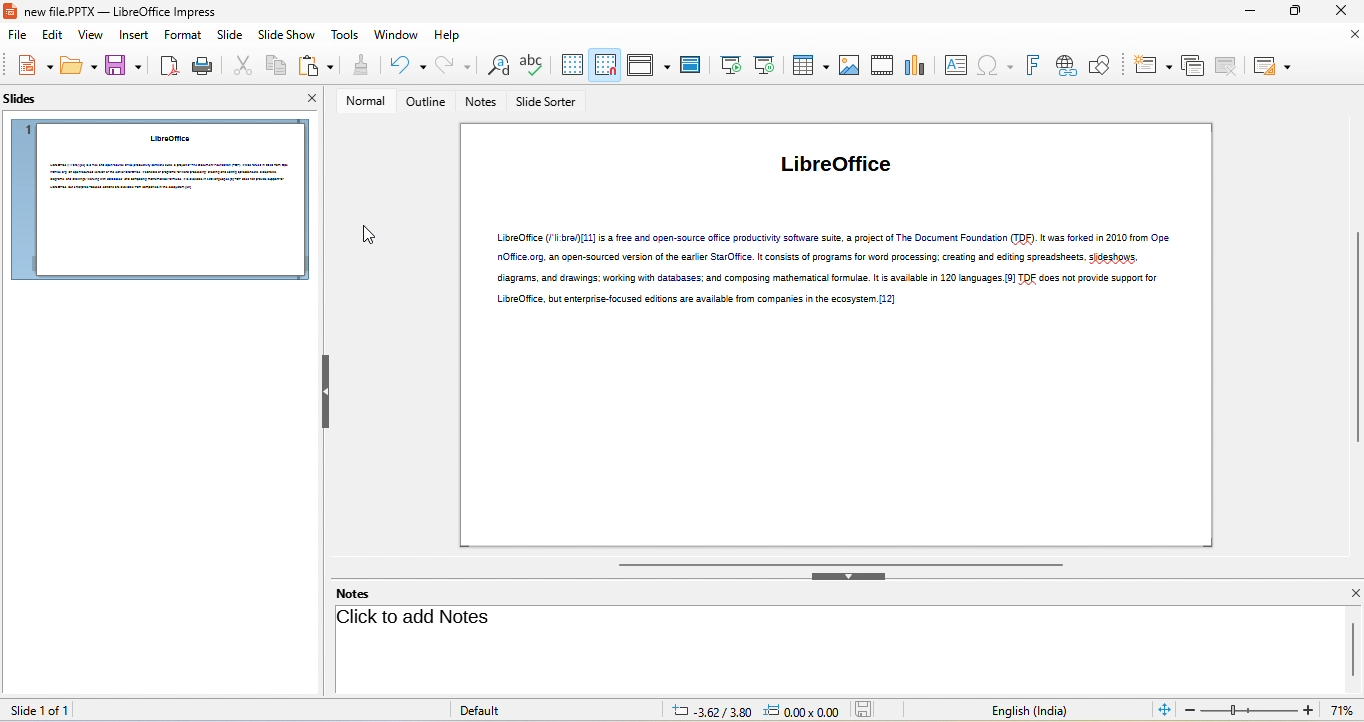 Image resolution: width=1364 pixels, height=722 pixels. I want to click on show draw function, so click(1101, 65).